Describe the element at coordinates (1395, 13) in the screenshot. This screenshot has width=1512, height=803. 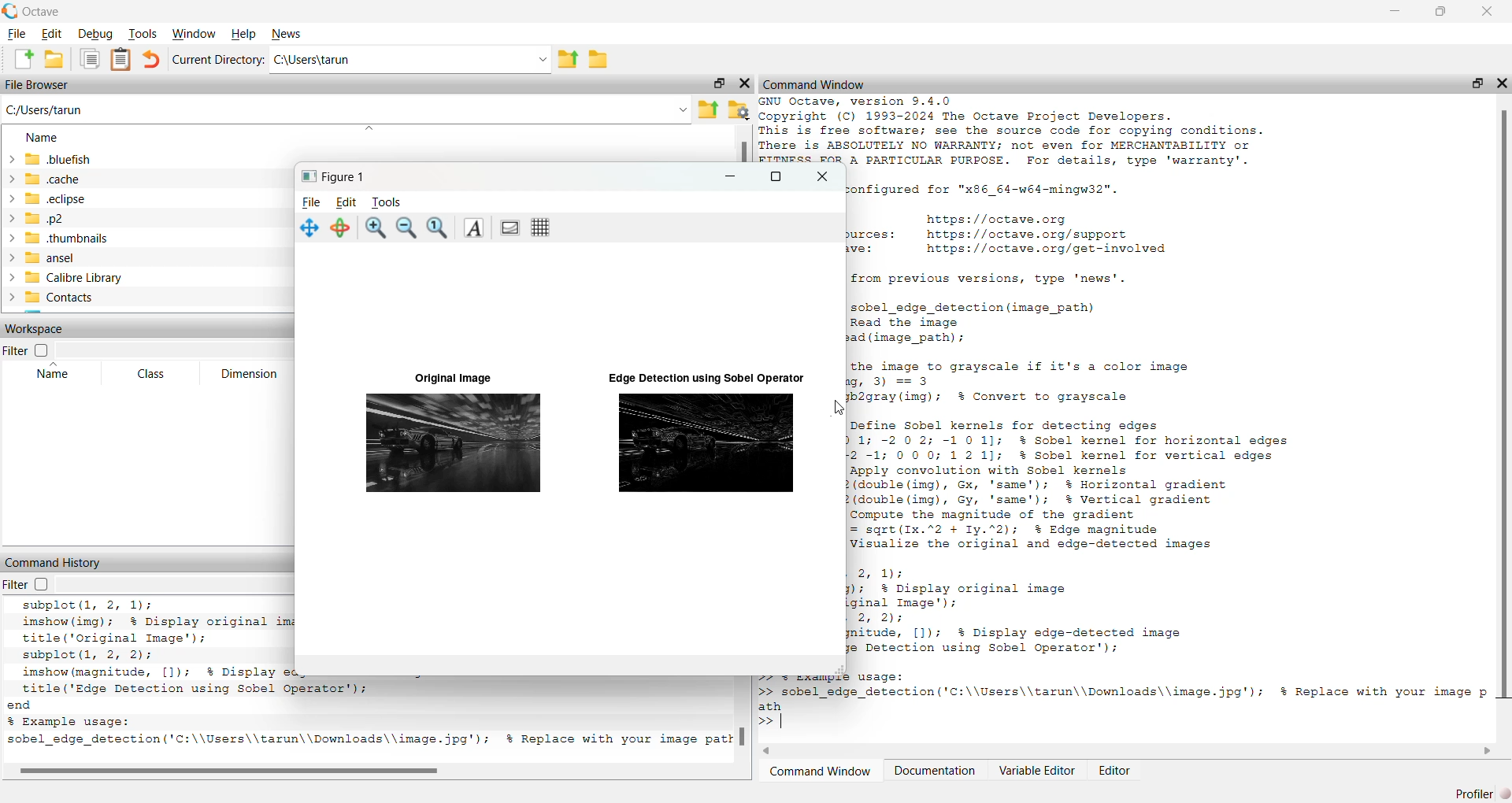
I see `minimize` at that location.